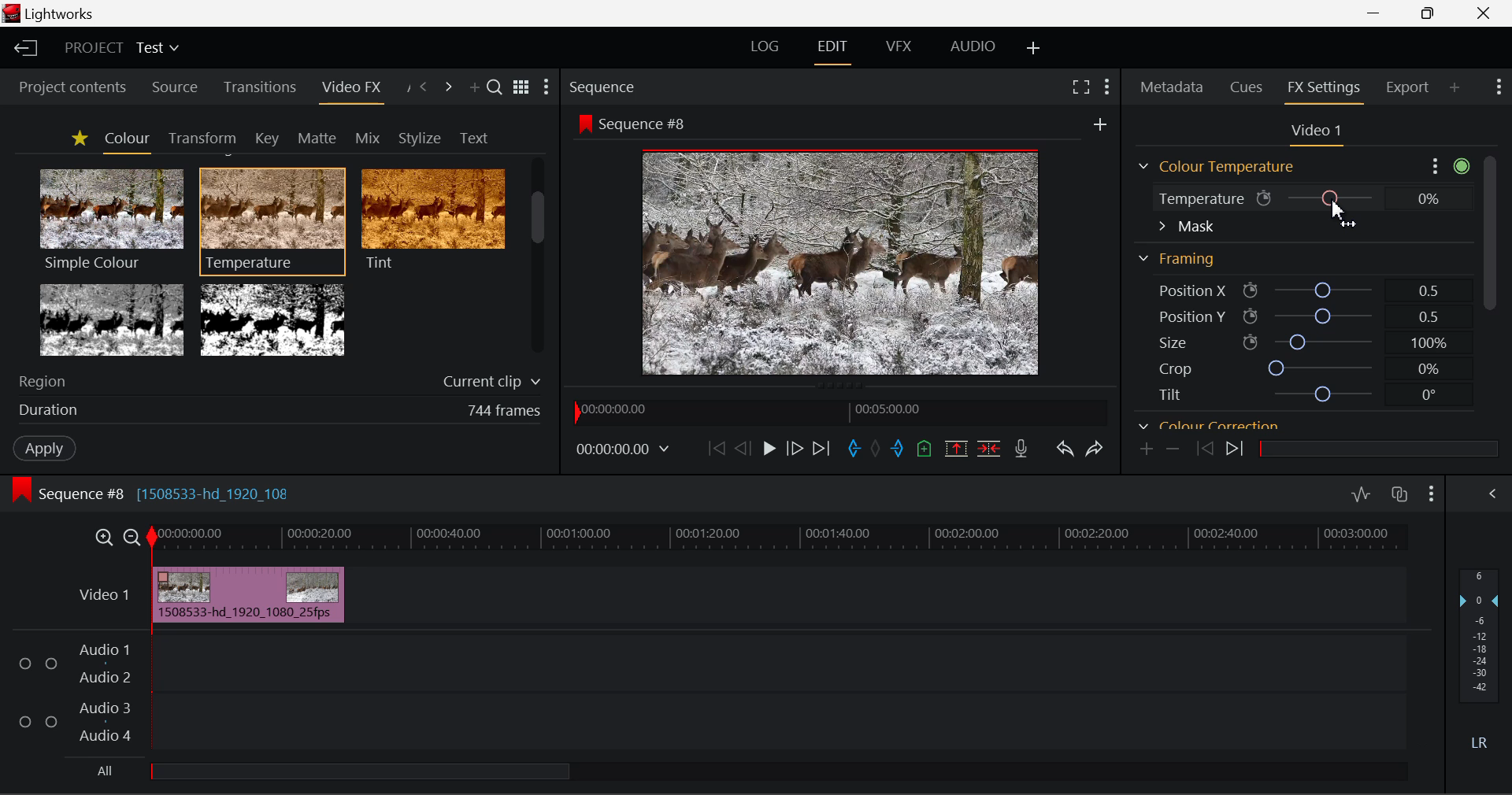 This screenshot has height=795, width=1512. Describe the element at coordinates (176, 90) in the screenshot. I see `Source` at that location.